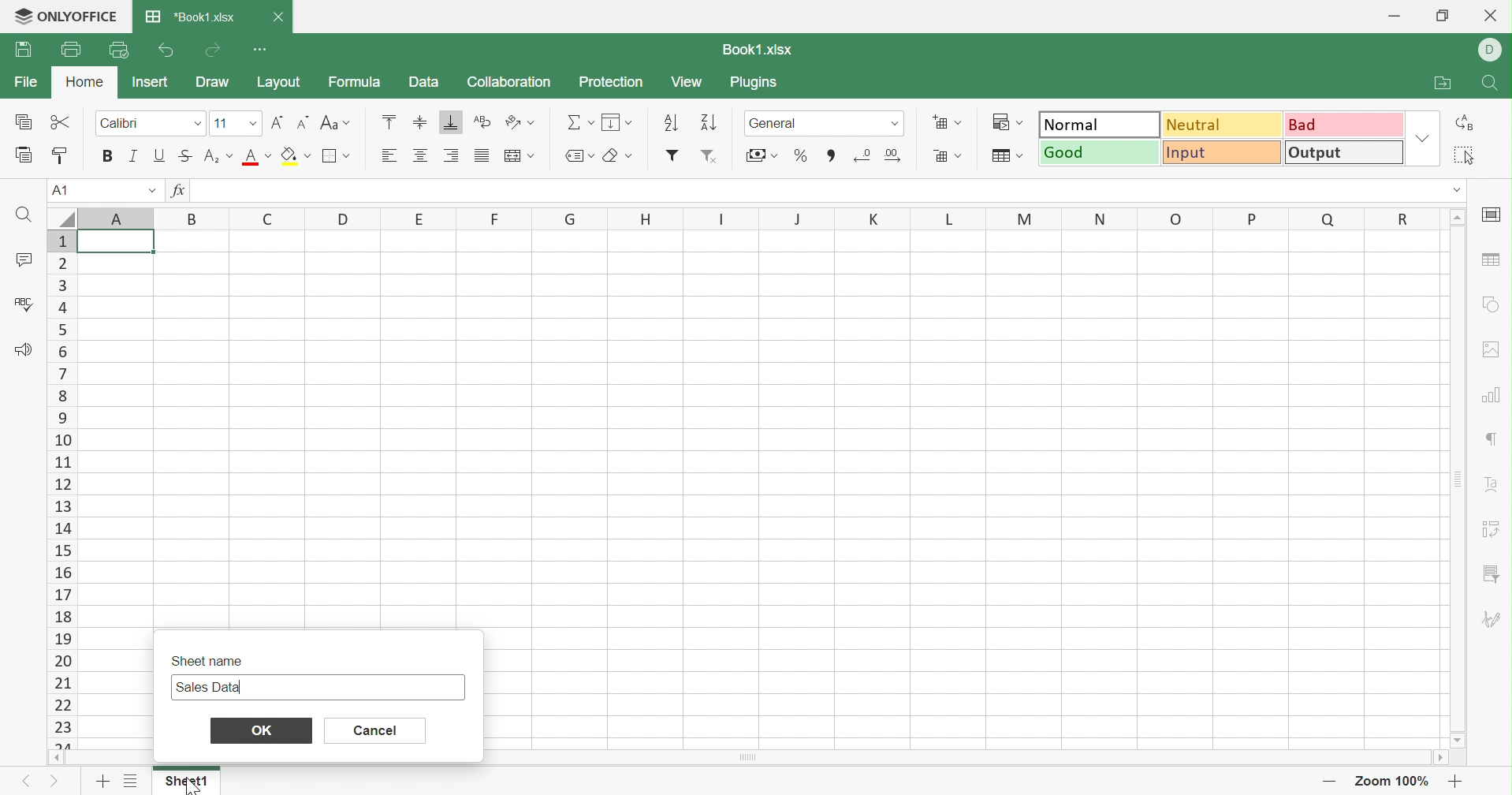 This screenshot has height=795, width=1512. What do you see at coordinates (613, 81) in the screenshot?
I see `Protection` at bounding box center [613, 81].